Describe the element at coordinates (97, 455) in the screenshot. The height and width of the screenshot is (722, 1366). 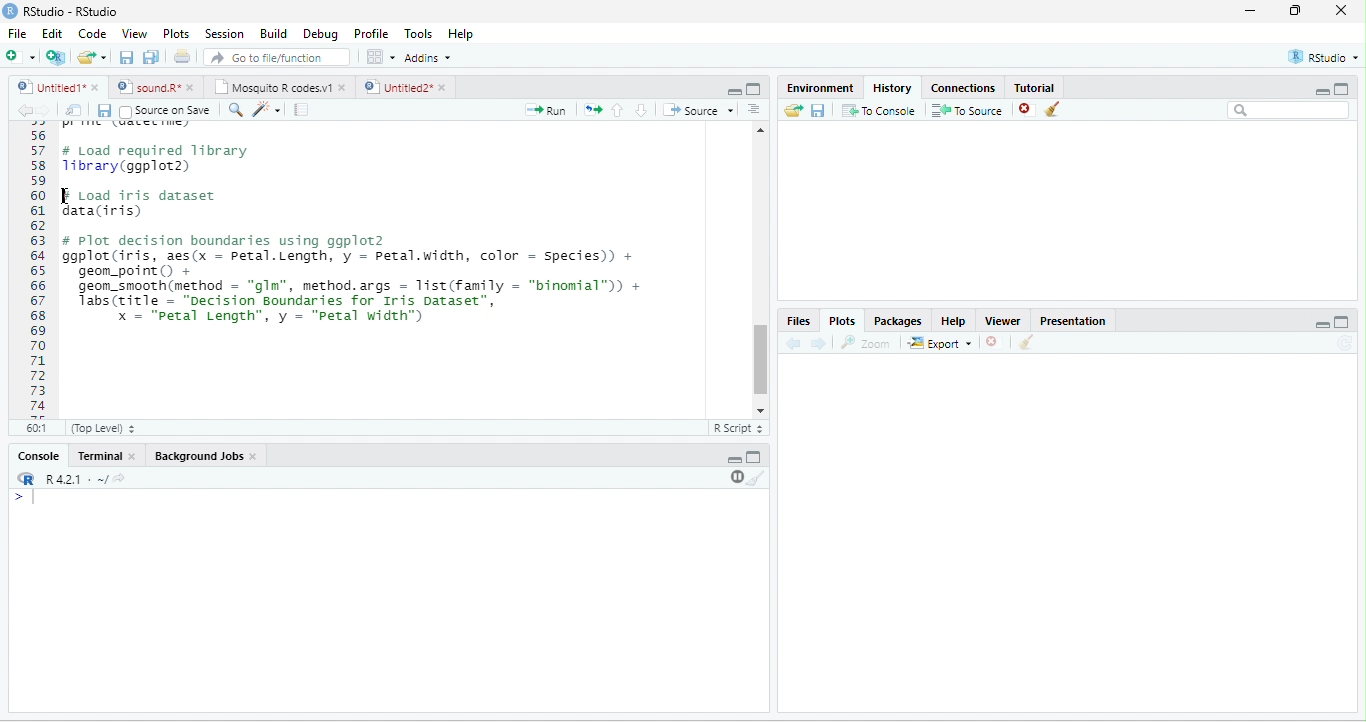
I see `Terminal` at that location.